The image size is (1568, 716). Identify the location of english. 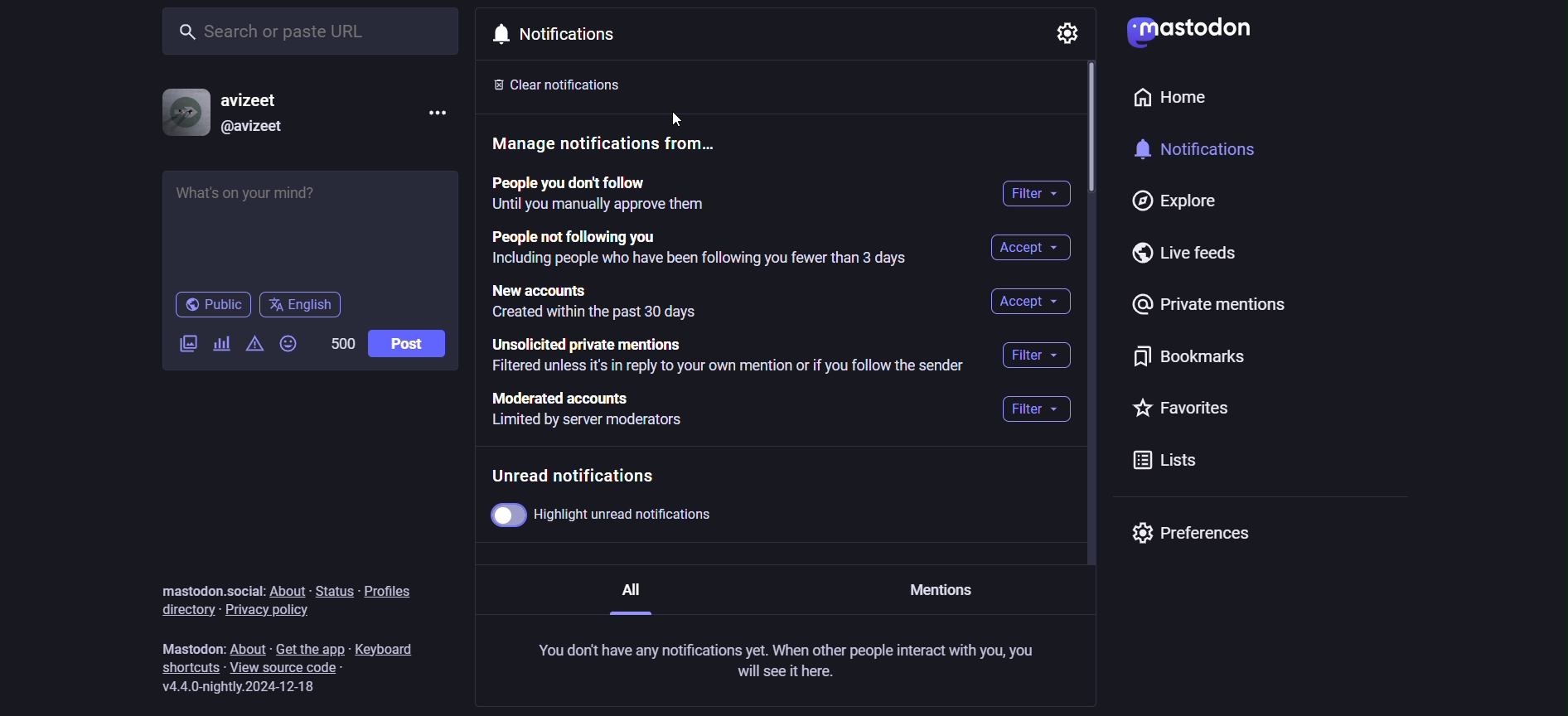
(302, 305).